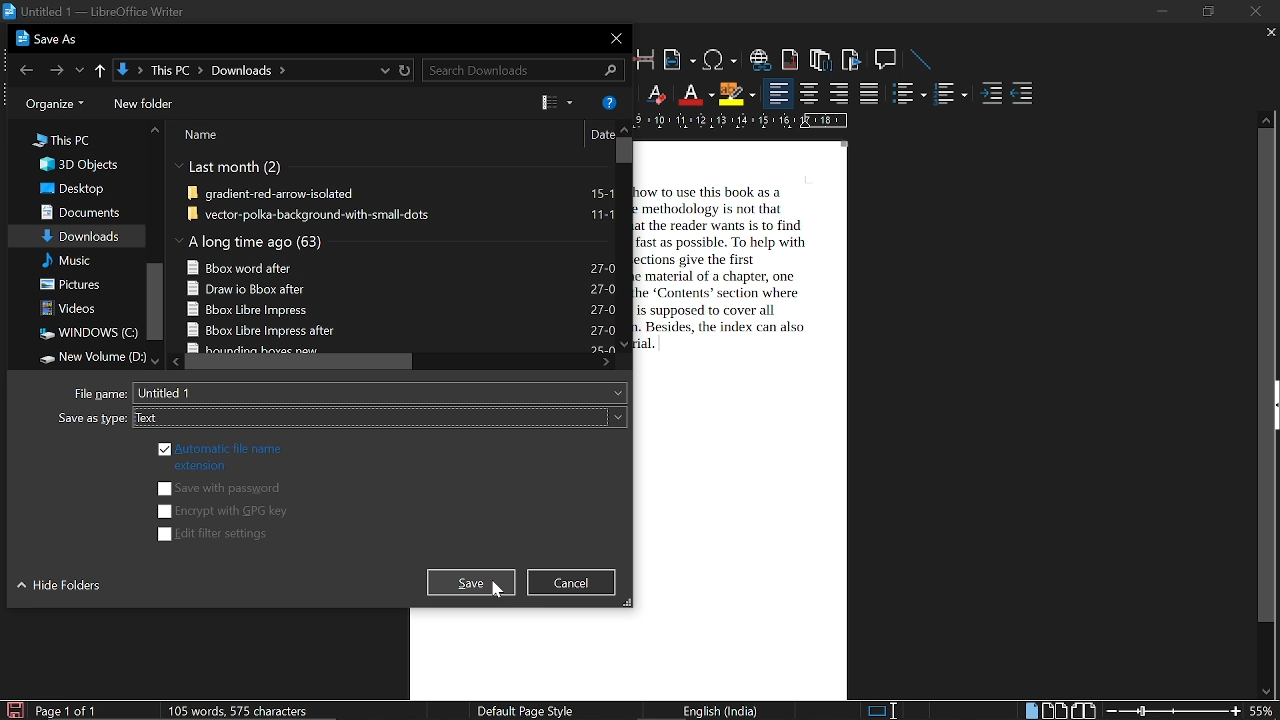 Image resolution: width=1280 pixels, height=720 pixels. Describe the element at coordinates (497, 590) in the screenshot. I see `cursor` at that location.